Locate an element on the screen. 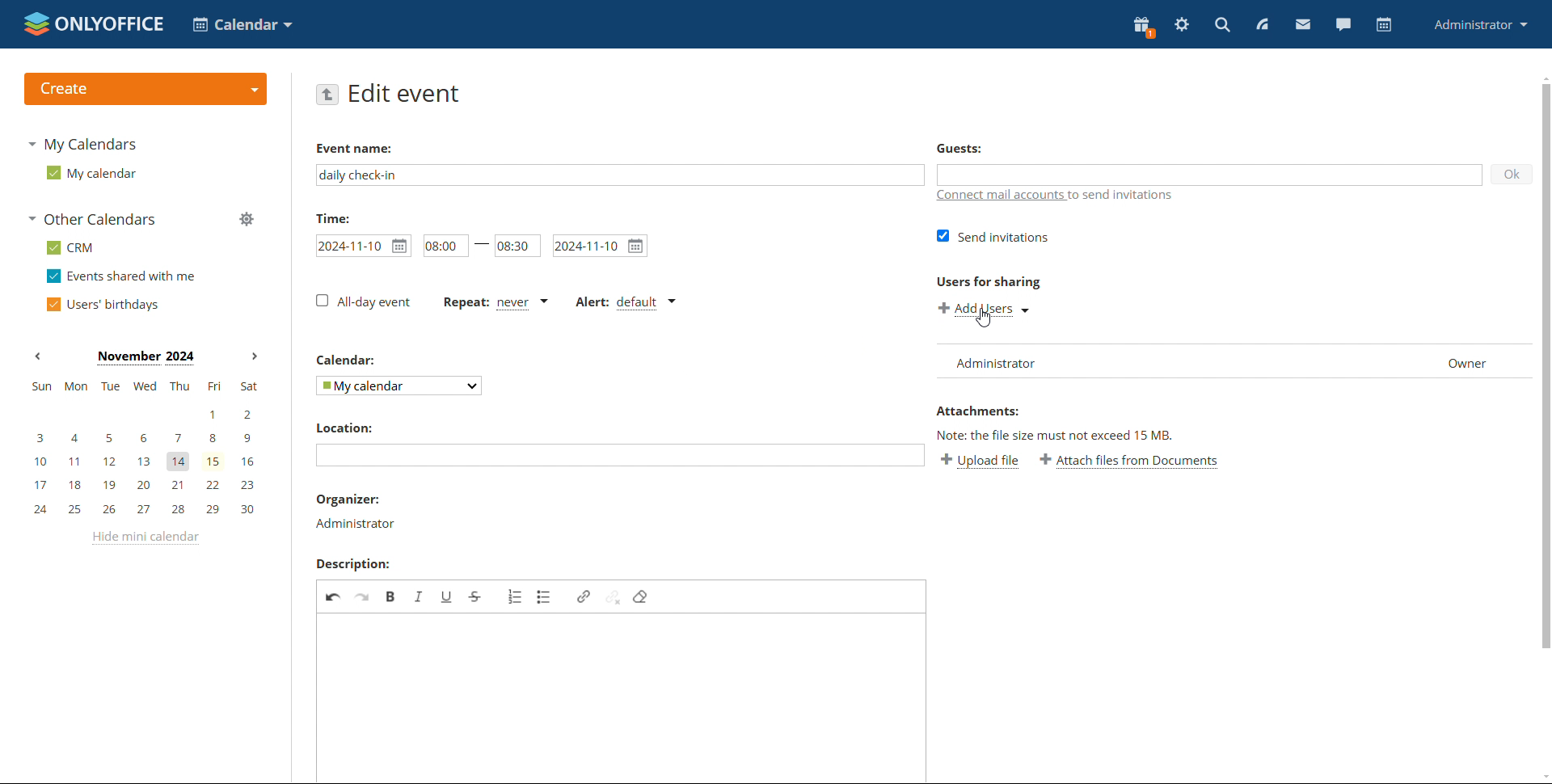  add event name is located at coordinates (620, 175).